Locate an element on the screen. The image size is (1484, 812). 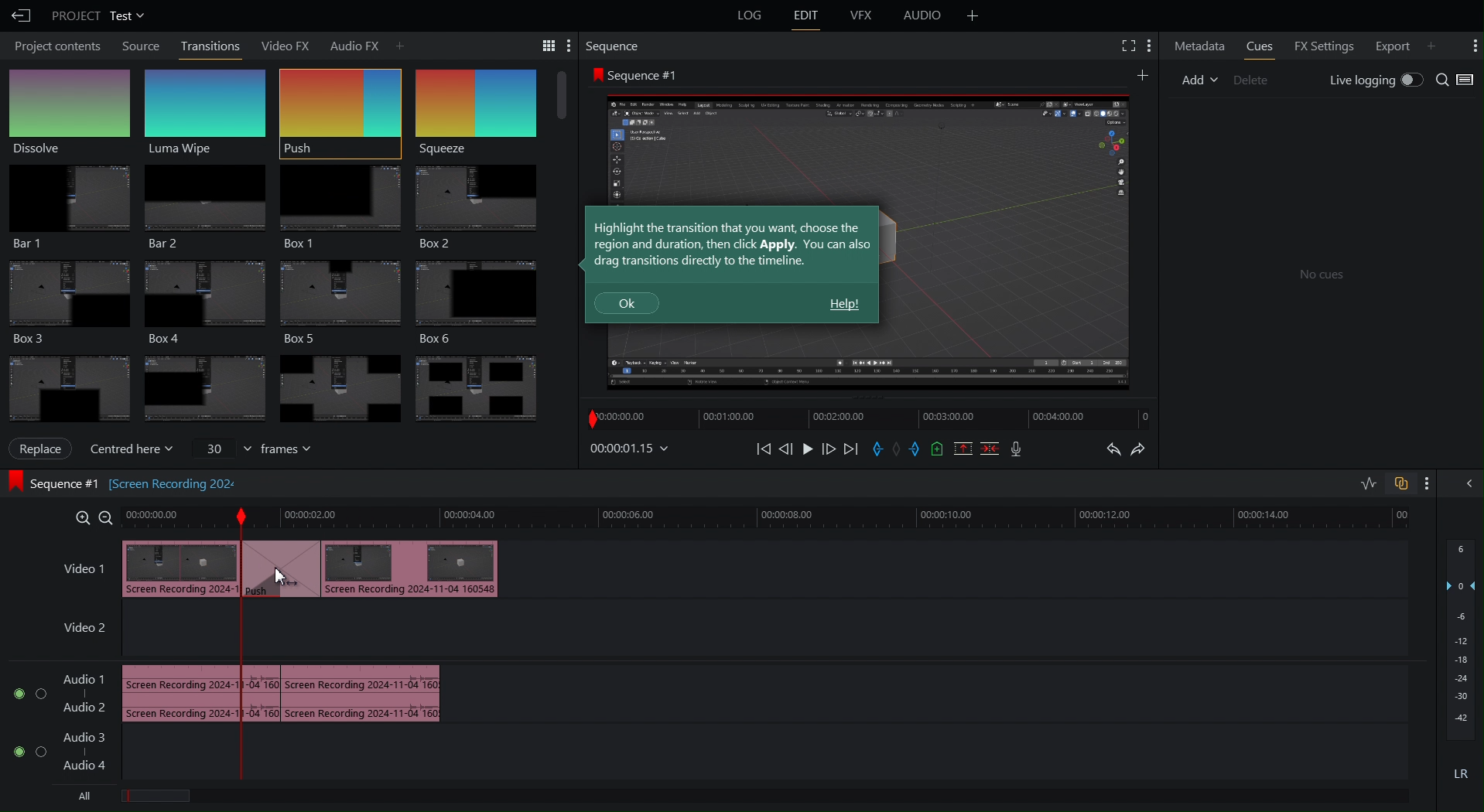
Help is located at coordinates (844, 305).